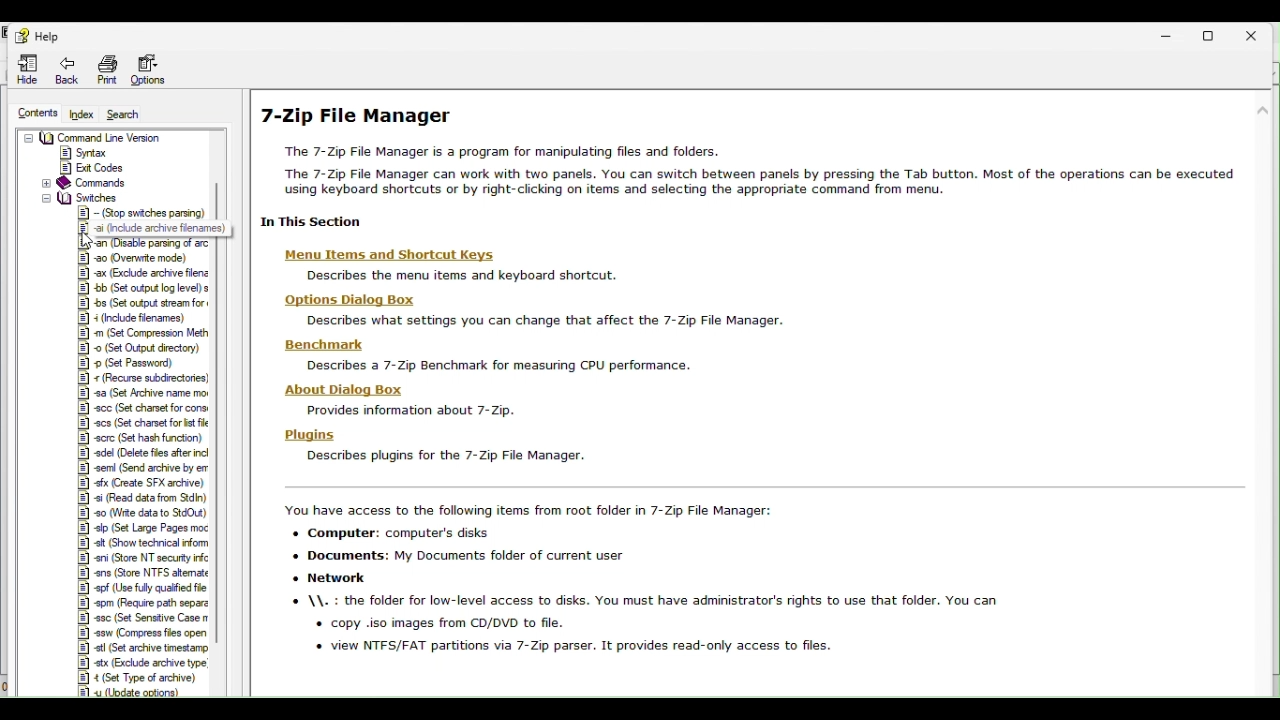 The image size is (1280, 720). I want to click on #1 yu (Update options), so click(129, 692).